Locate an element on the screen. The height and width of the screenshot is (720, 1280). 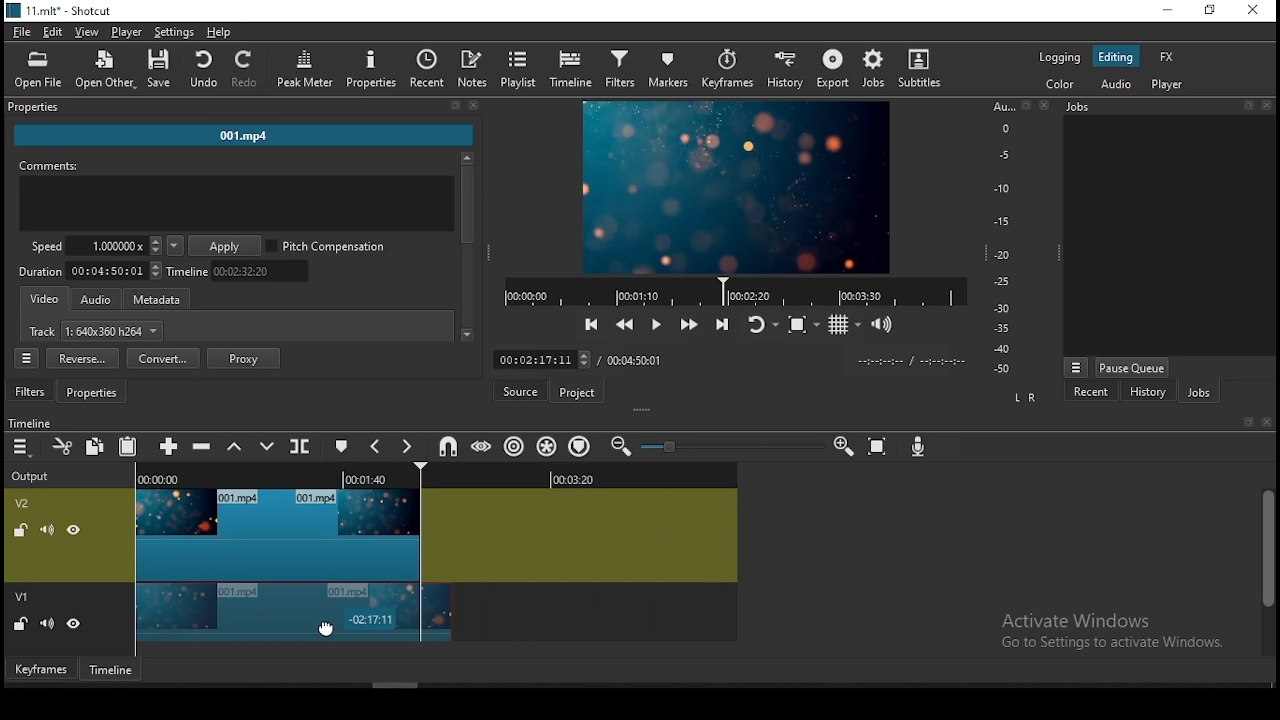
JOBS is located at coordinates (1166, 107).